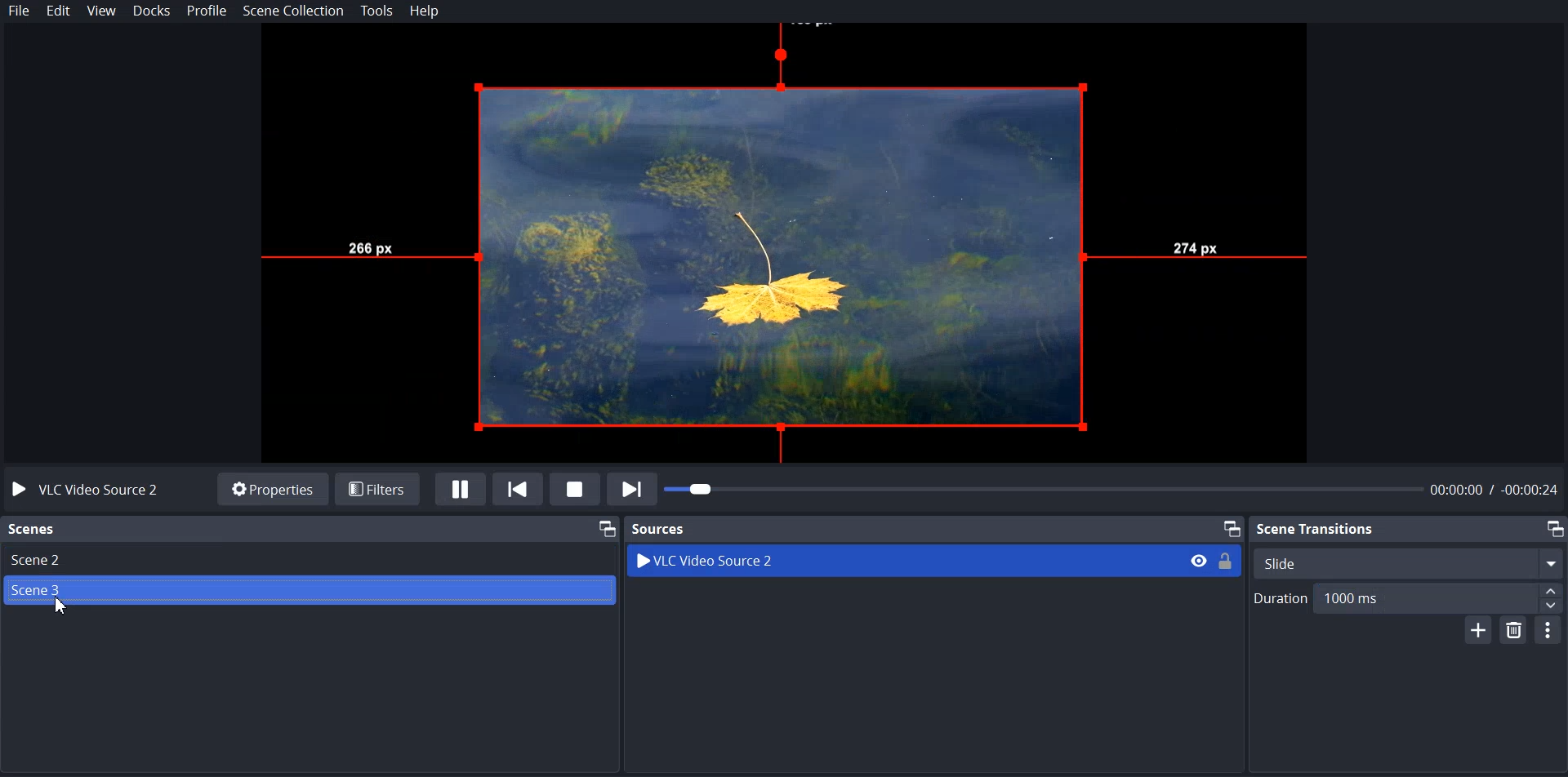  I want to click on Help, so click(423, 12).